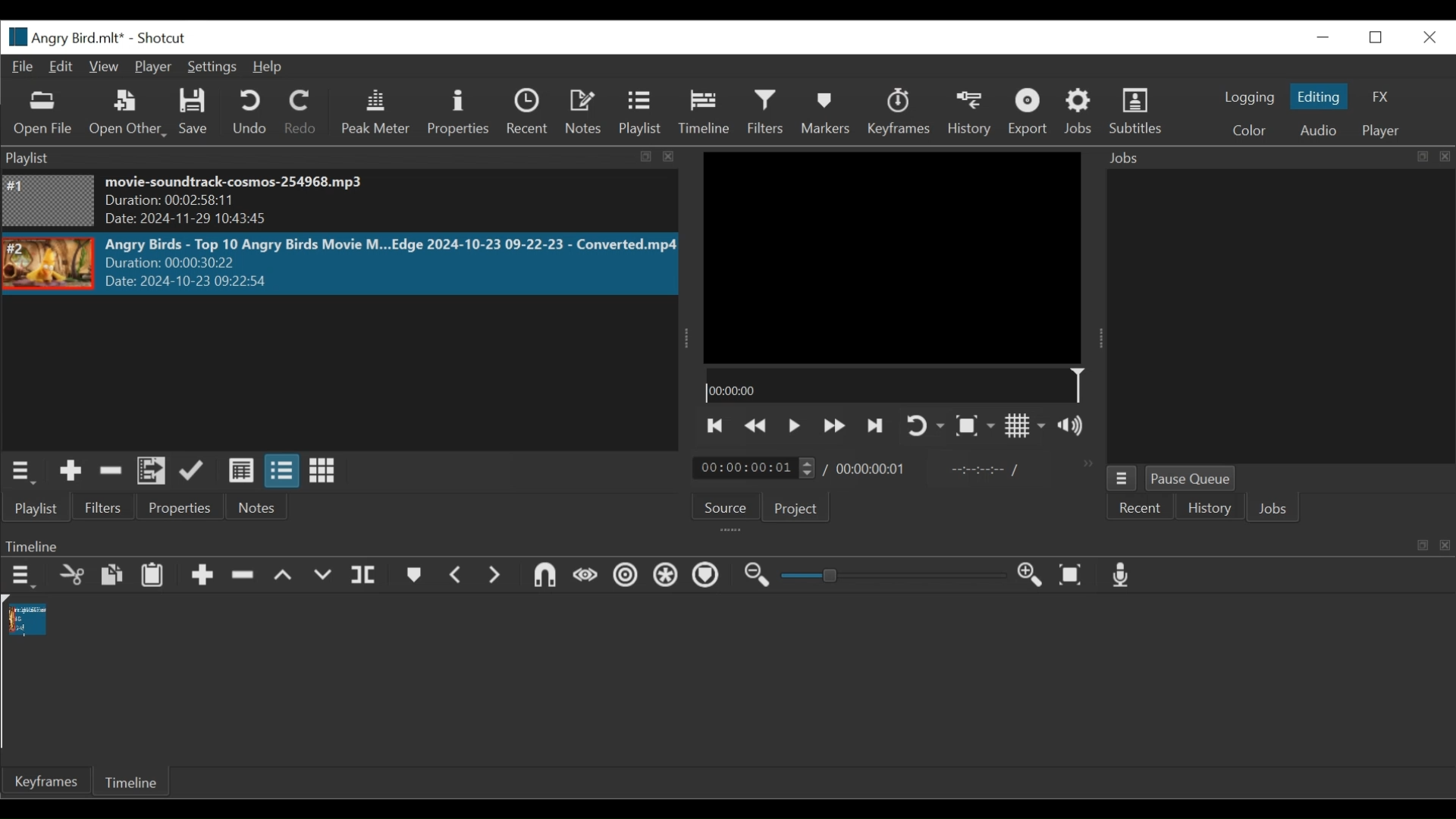 The width and height of the screenshot is (1456, 819). I want to click on Add the source to the playlist, so click(71, 471).